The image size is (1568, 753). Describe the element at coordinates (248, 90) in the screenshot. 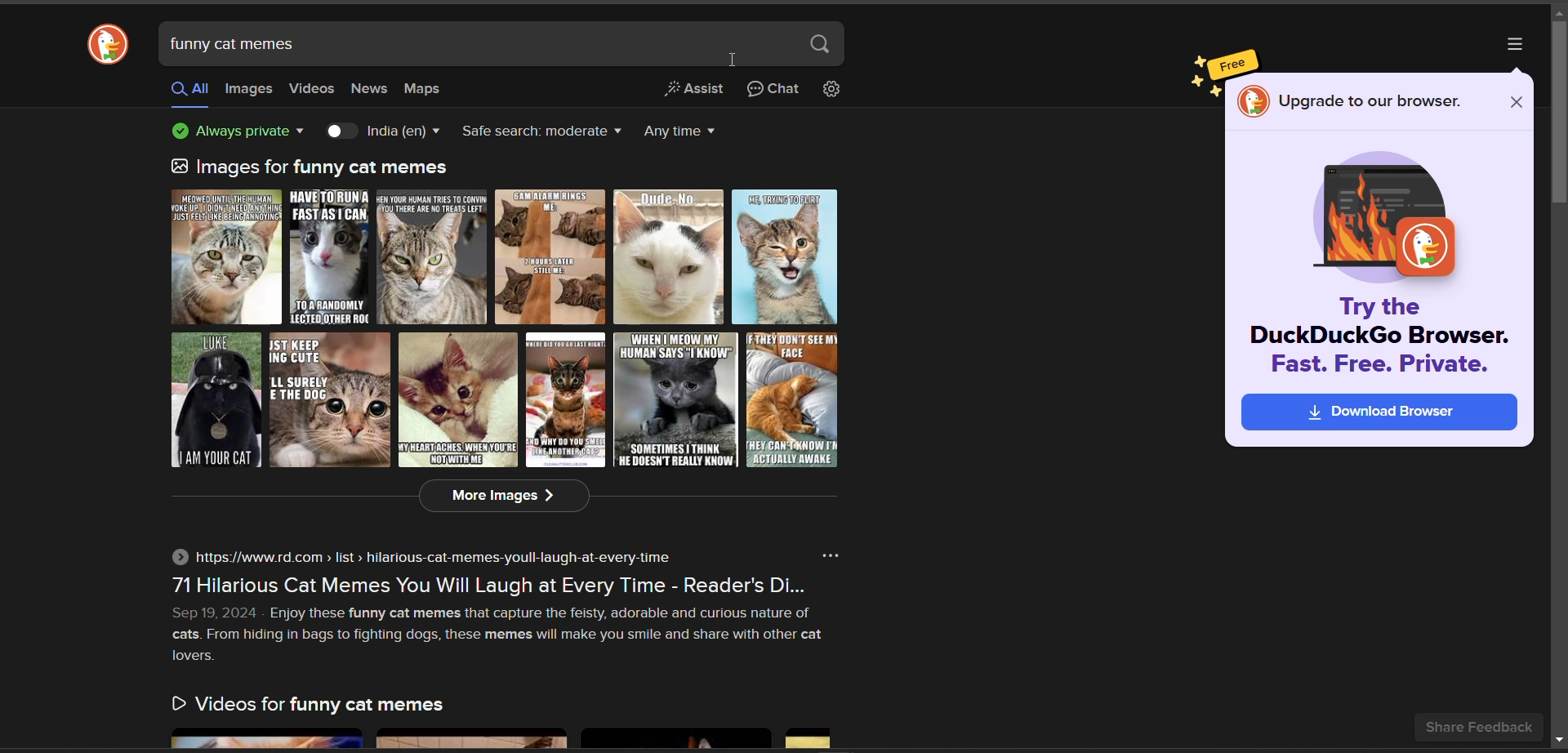

I see `images` at that location.